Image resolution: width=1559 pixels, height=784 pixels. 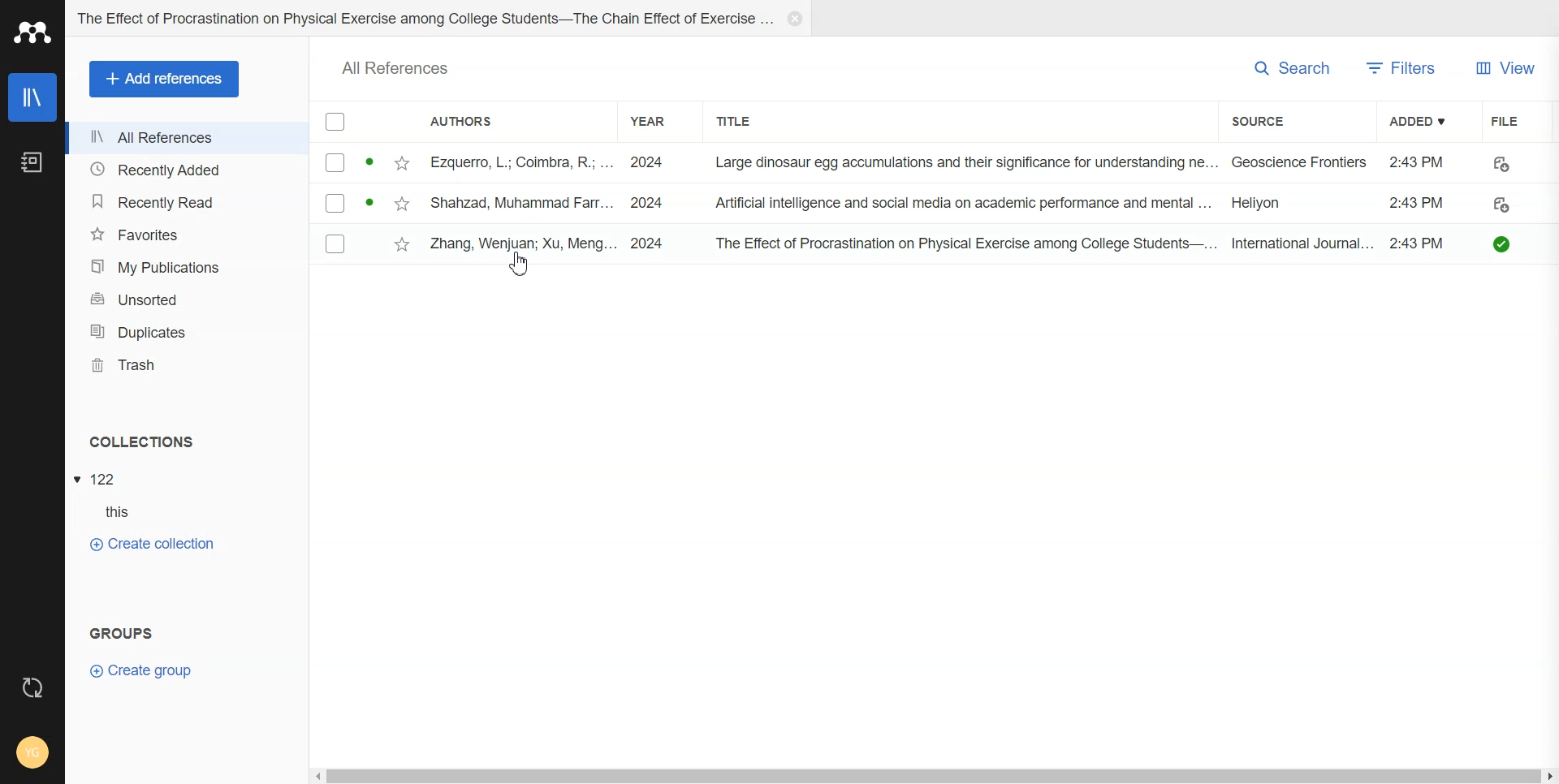 I want to click on Check box, so click(x=338, y=243).